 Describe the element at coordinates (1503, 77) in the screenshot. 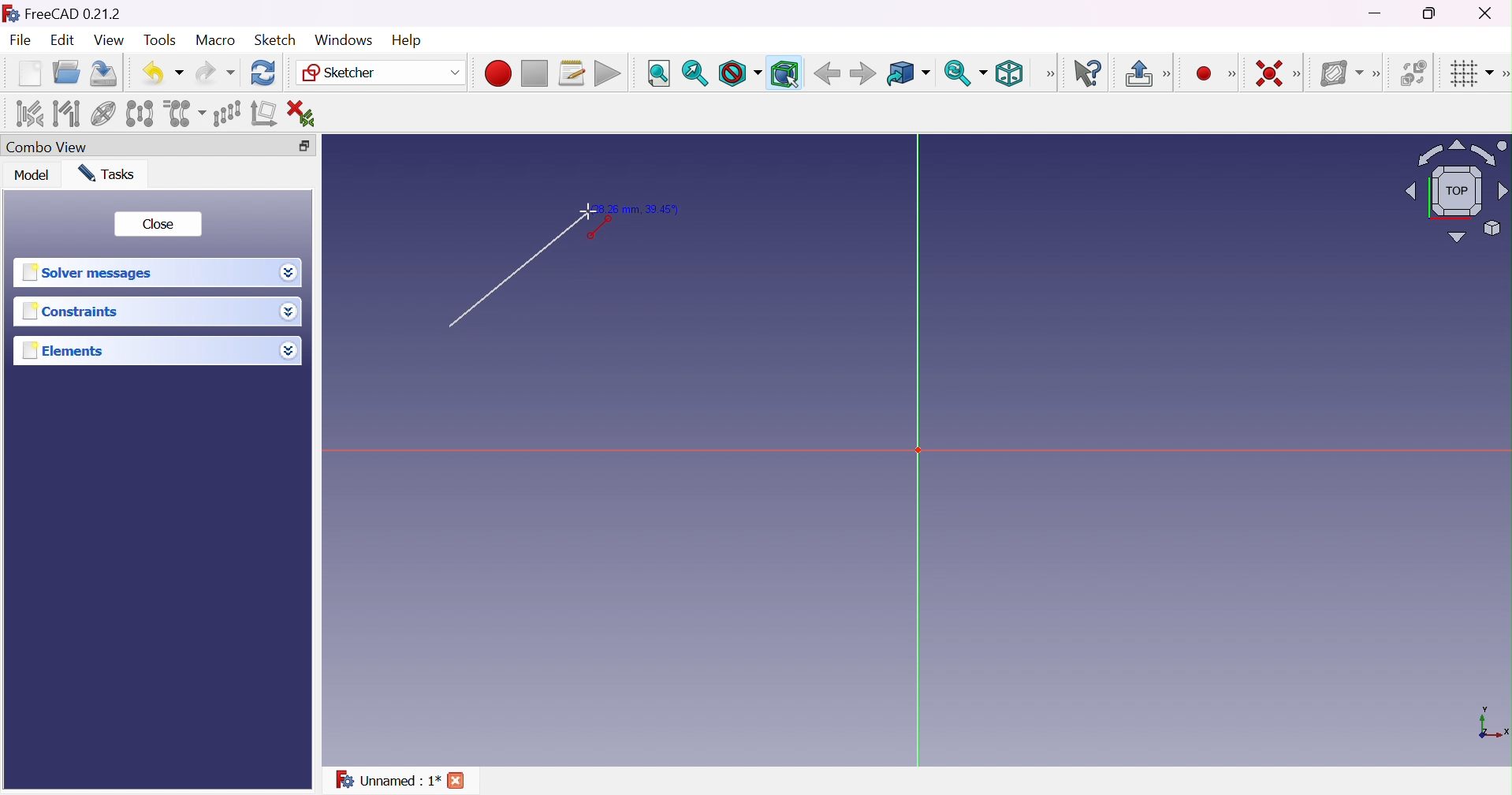

I see `[Sketcher edit tools]` at that location.